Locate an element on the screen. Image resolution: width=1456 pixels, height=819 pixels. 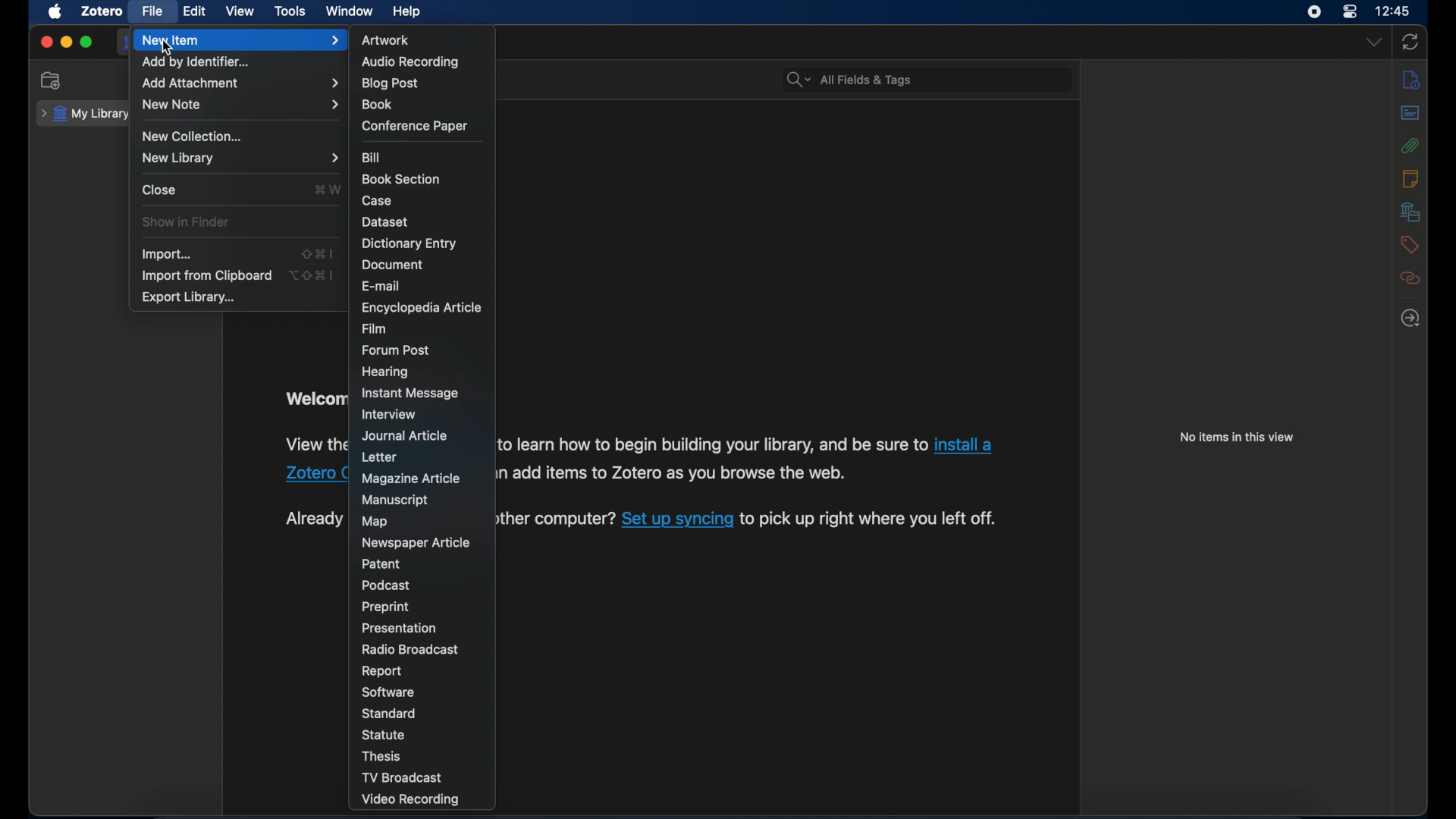
document is located at coordinates (391, 265).